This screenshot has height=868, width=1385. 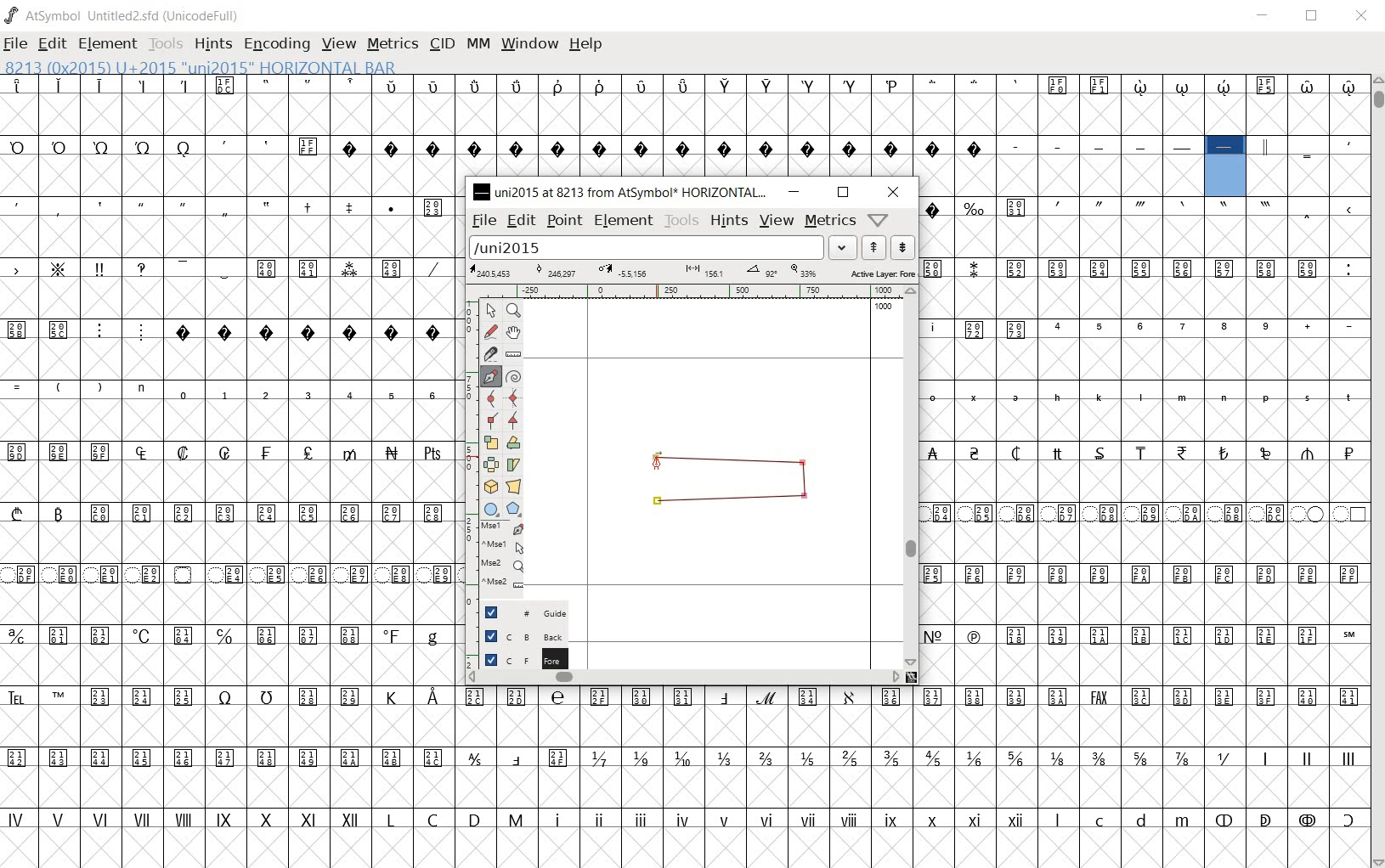 I want to click on Rotate the selection, so click(x=515, y=465).